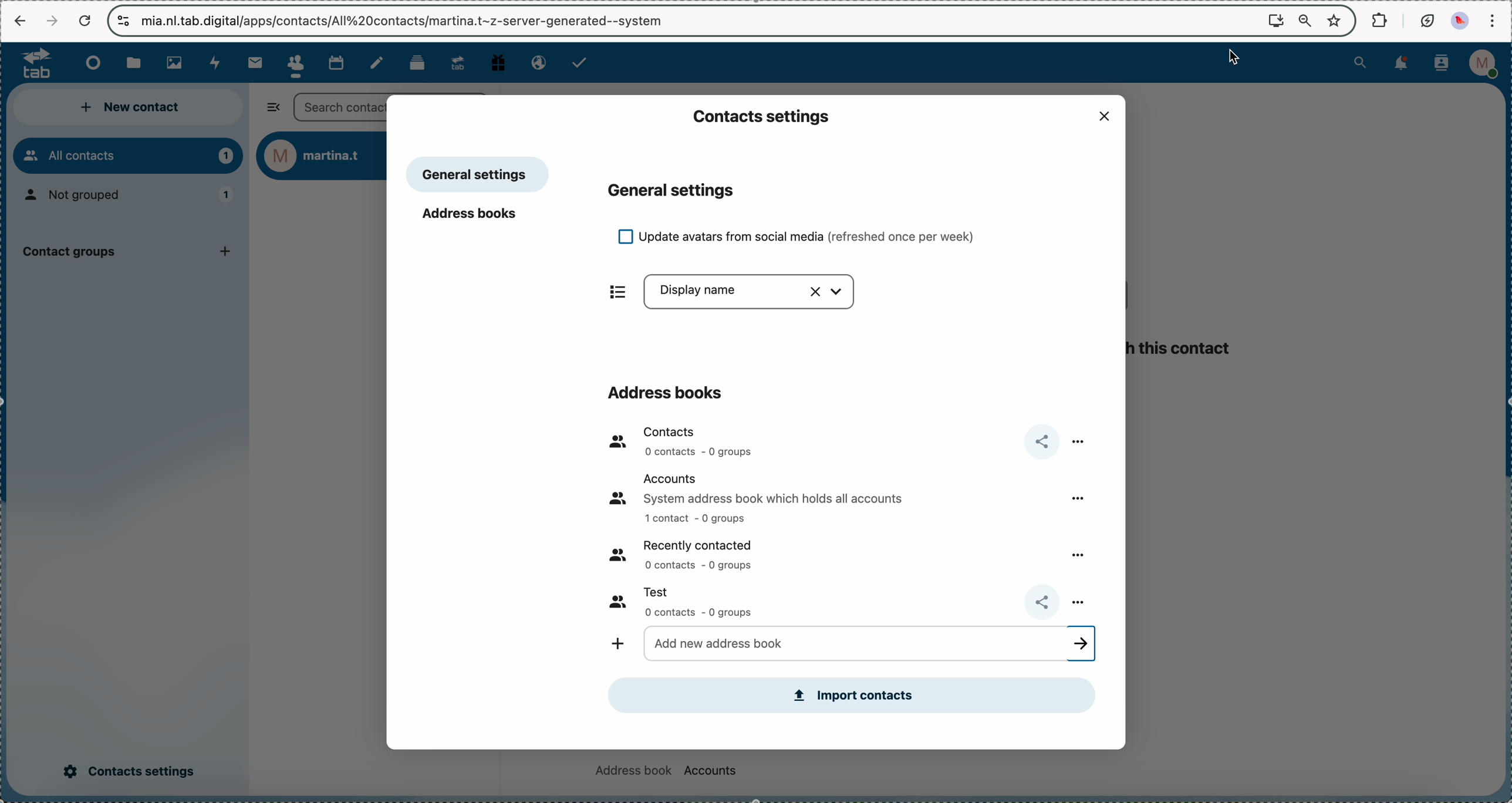 This screenshot has height=803, width=1512. I want to click on more options, so click(1081, 447).